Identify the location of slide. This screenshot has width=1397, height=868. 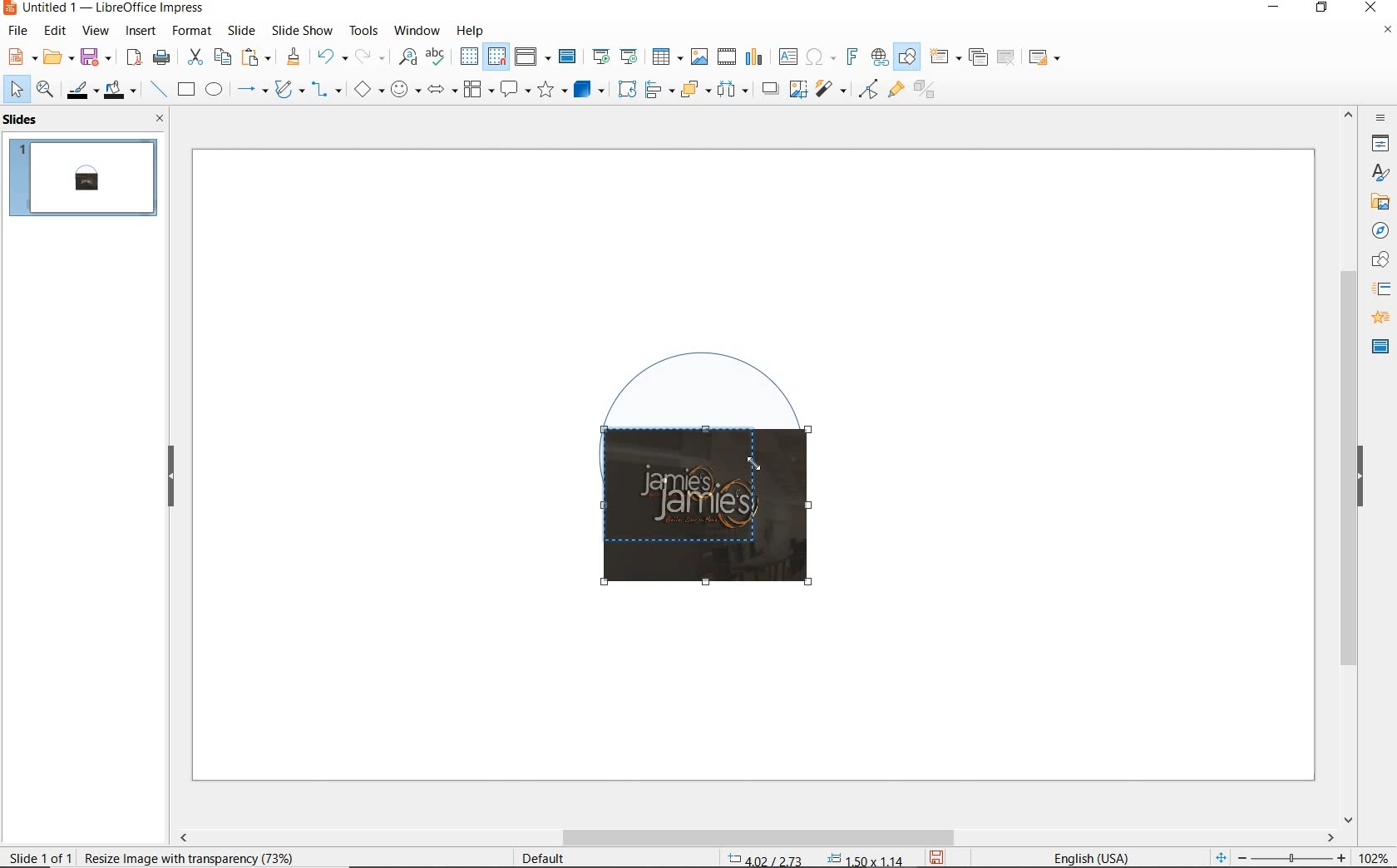
(241, 31).